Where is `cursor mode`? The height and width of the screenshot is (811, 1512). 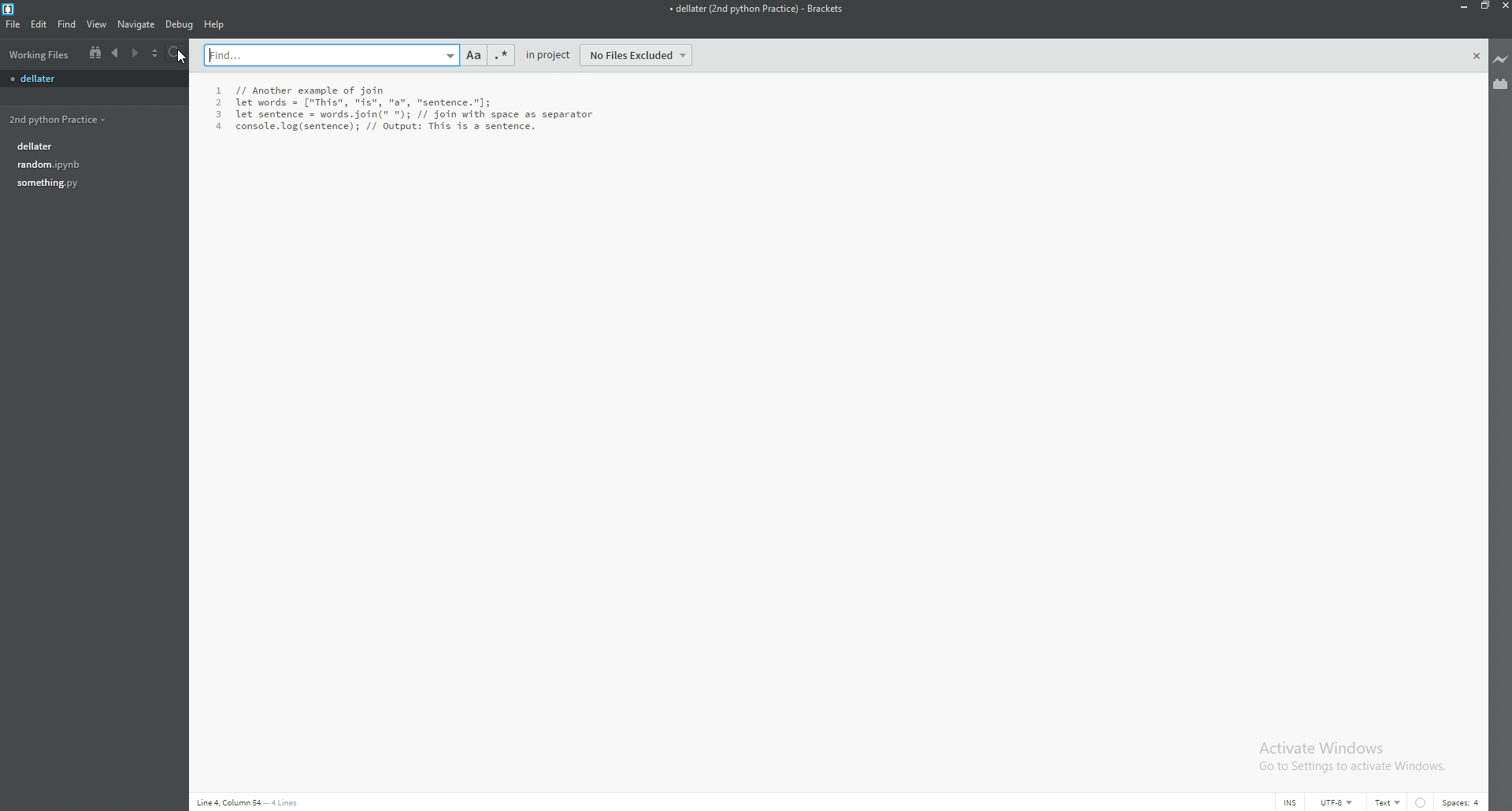 cursor mode is located at coordinates (1289, 802).